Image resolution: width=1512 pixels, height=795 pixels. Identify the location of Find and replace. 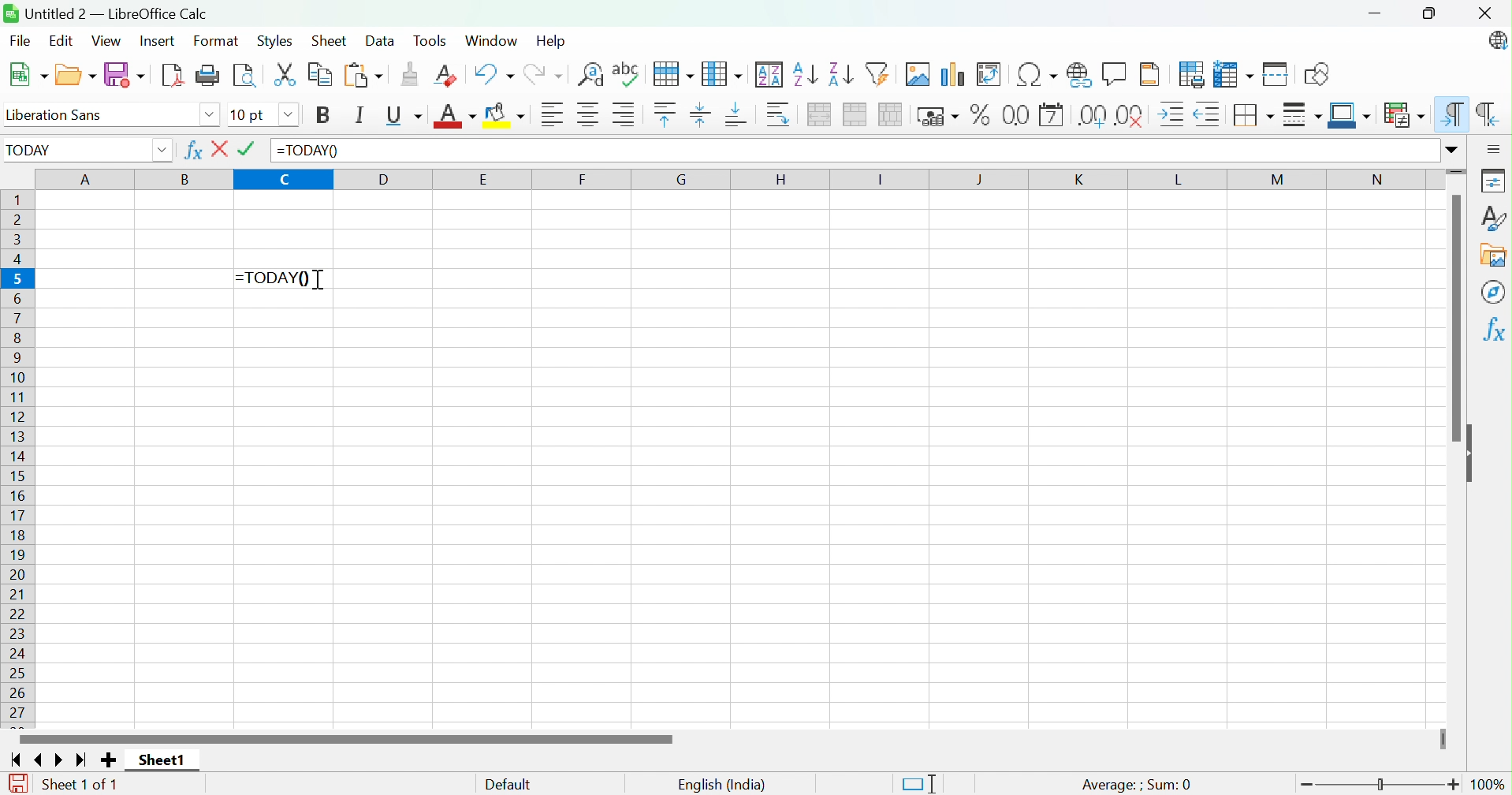
(593, 76).